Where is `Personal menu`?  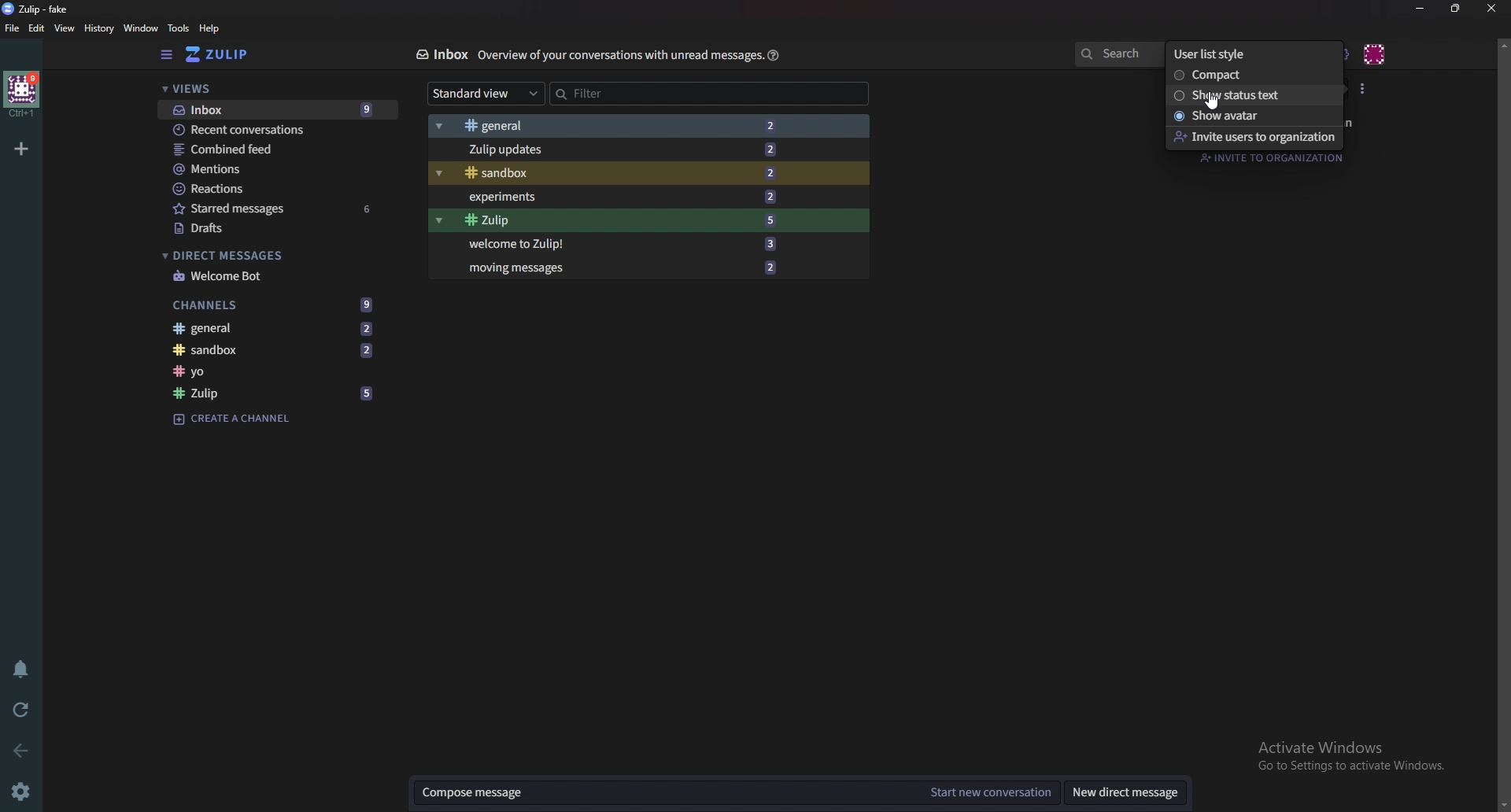 Personal menu is located at coordinates (1374, 55).